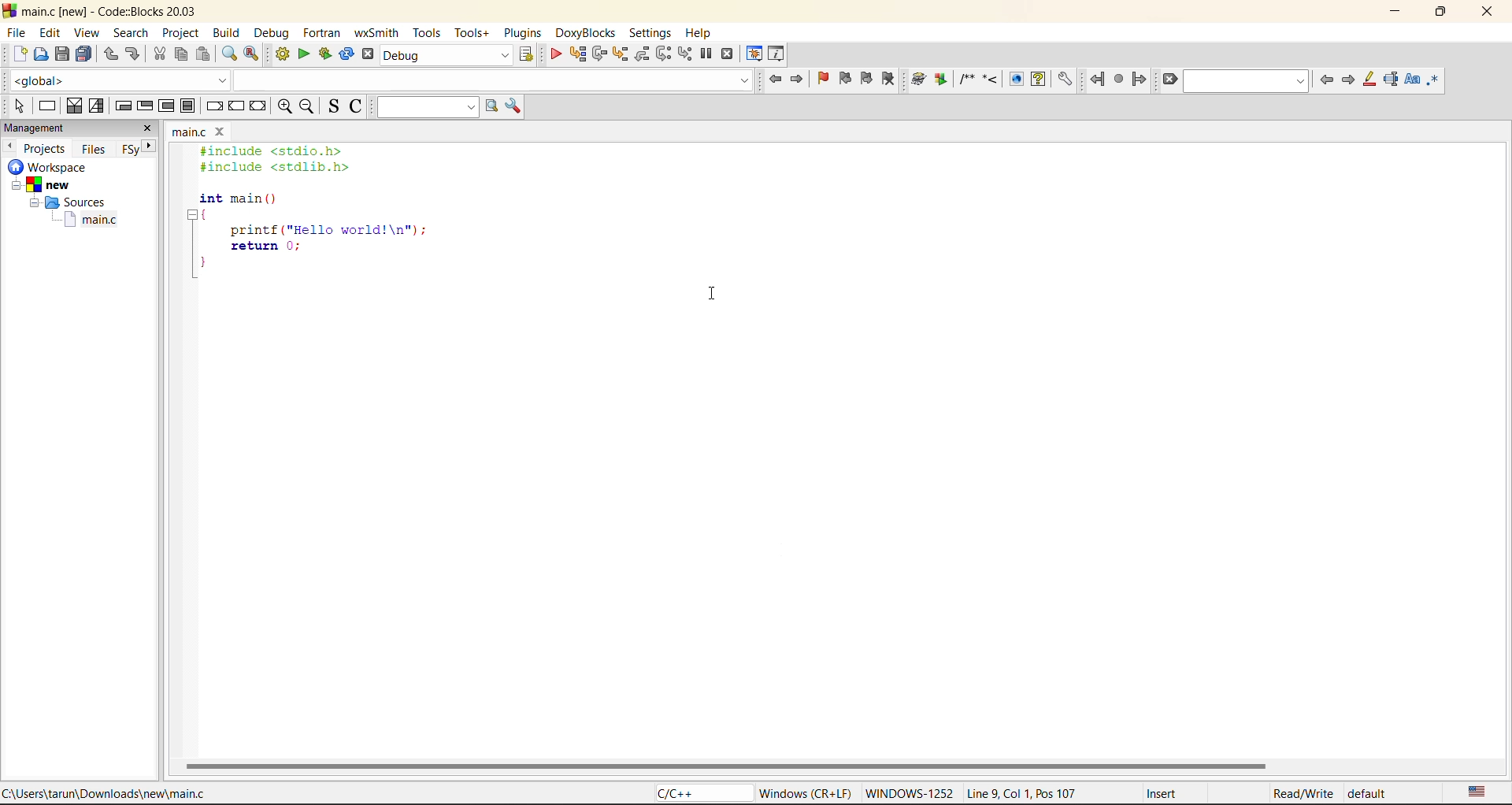  What do you see at coordinates (302, 56) in the screenshot?
I see `run` at bounding box center [302, 56].